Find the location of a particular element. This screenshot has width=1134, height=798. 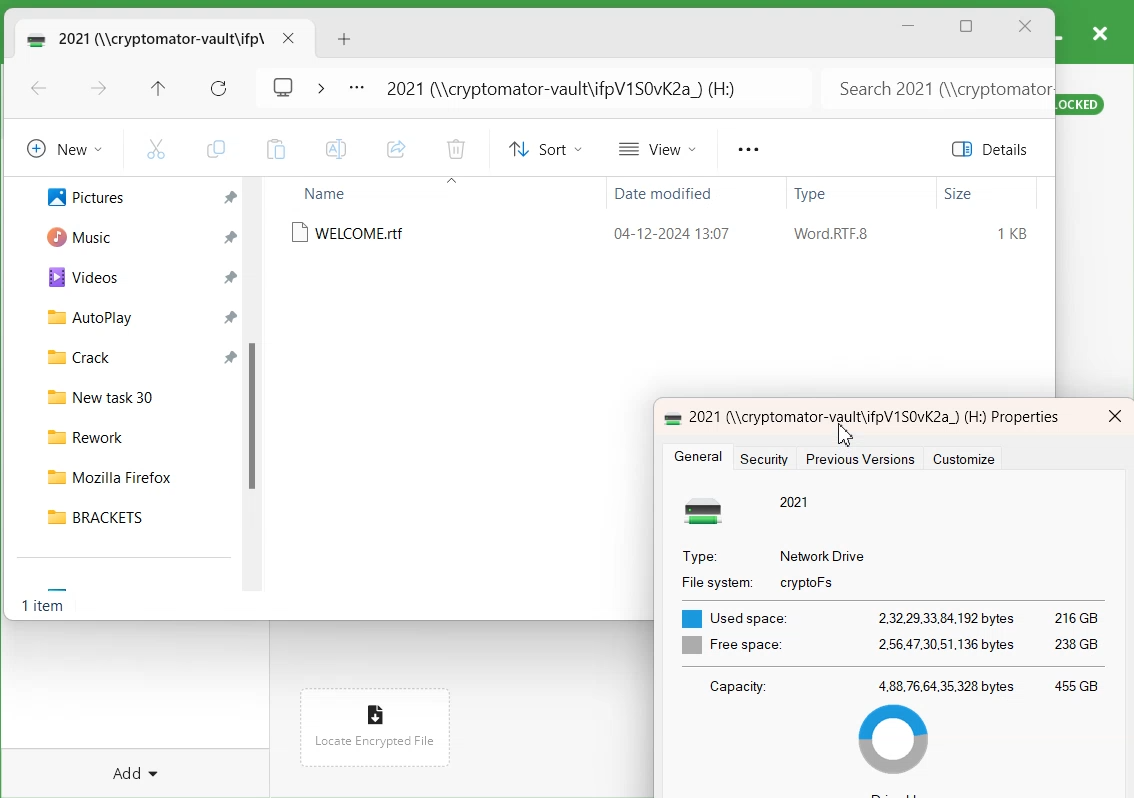

Date is located at coordinates (669, 231).